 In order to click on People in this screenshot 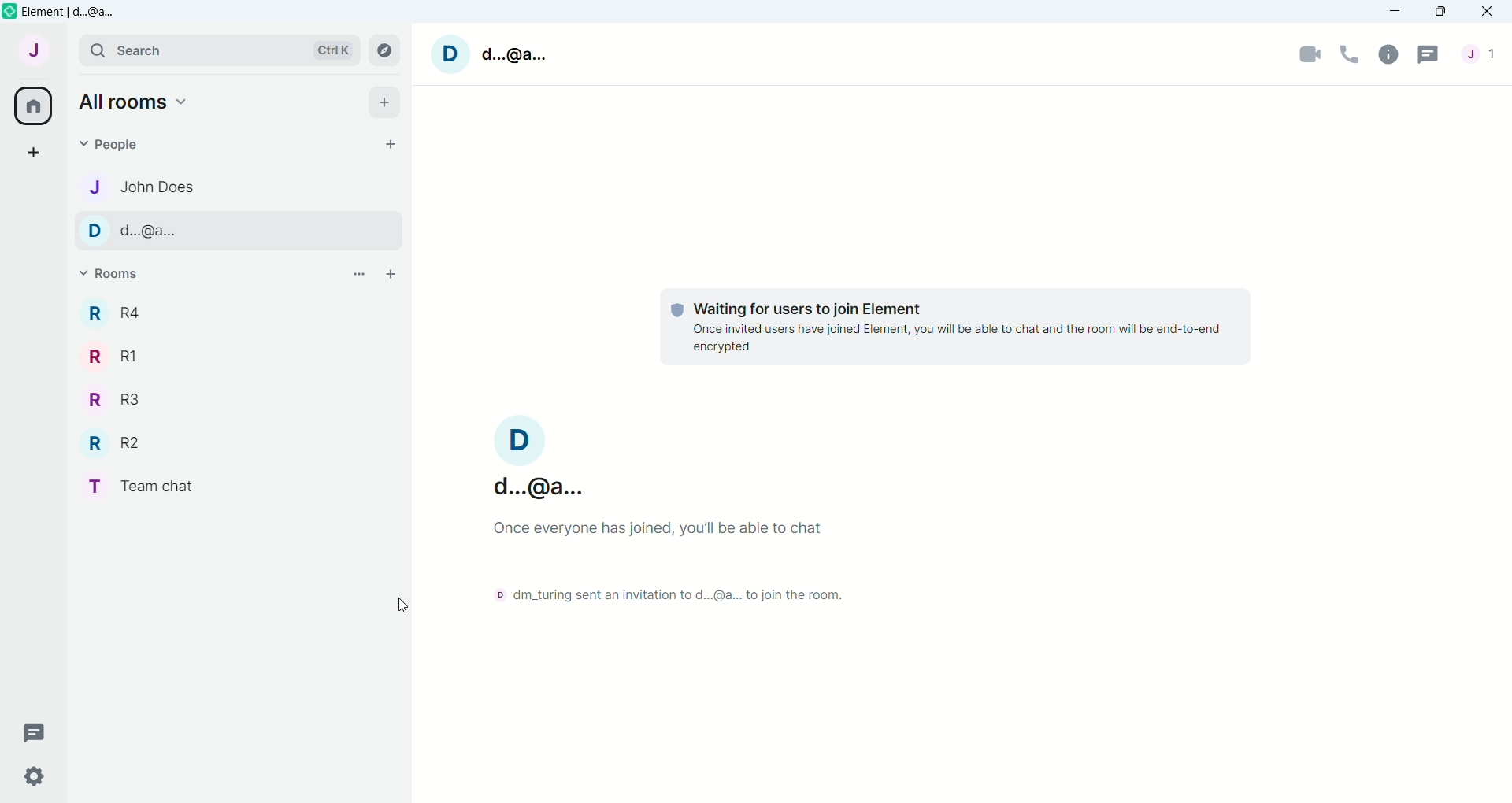, I will do `click(1484, 54)`.